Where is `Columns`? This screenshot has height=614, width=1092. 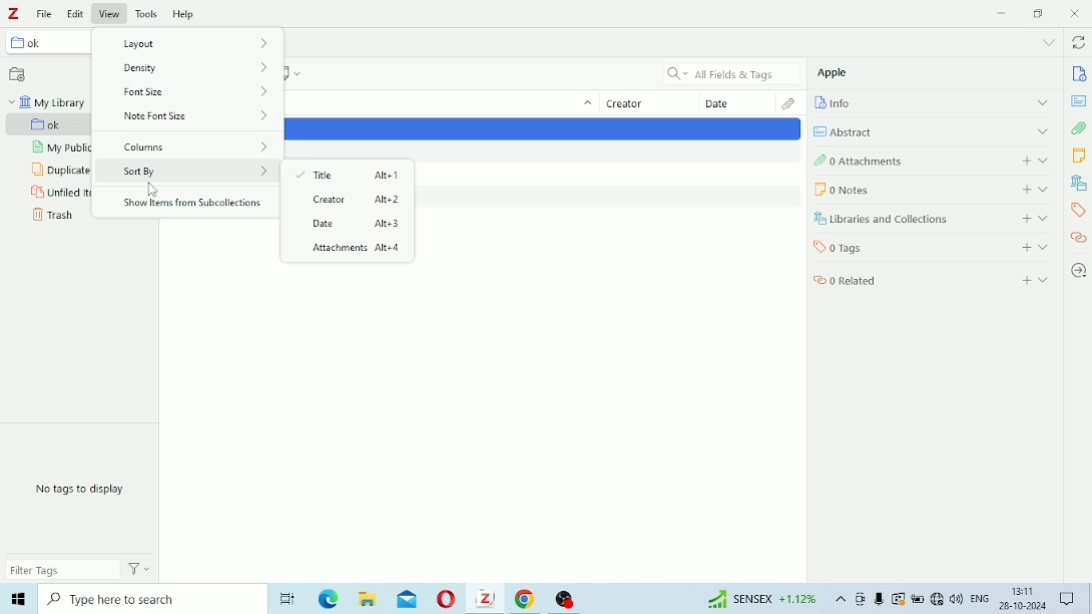
Columns is located at coordinates (195, 143).